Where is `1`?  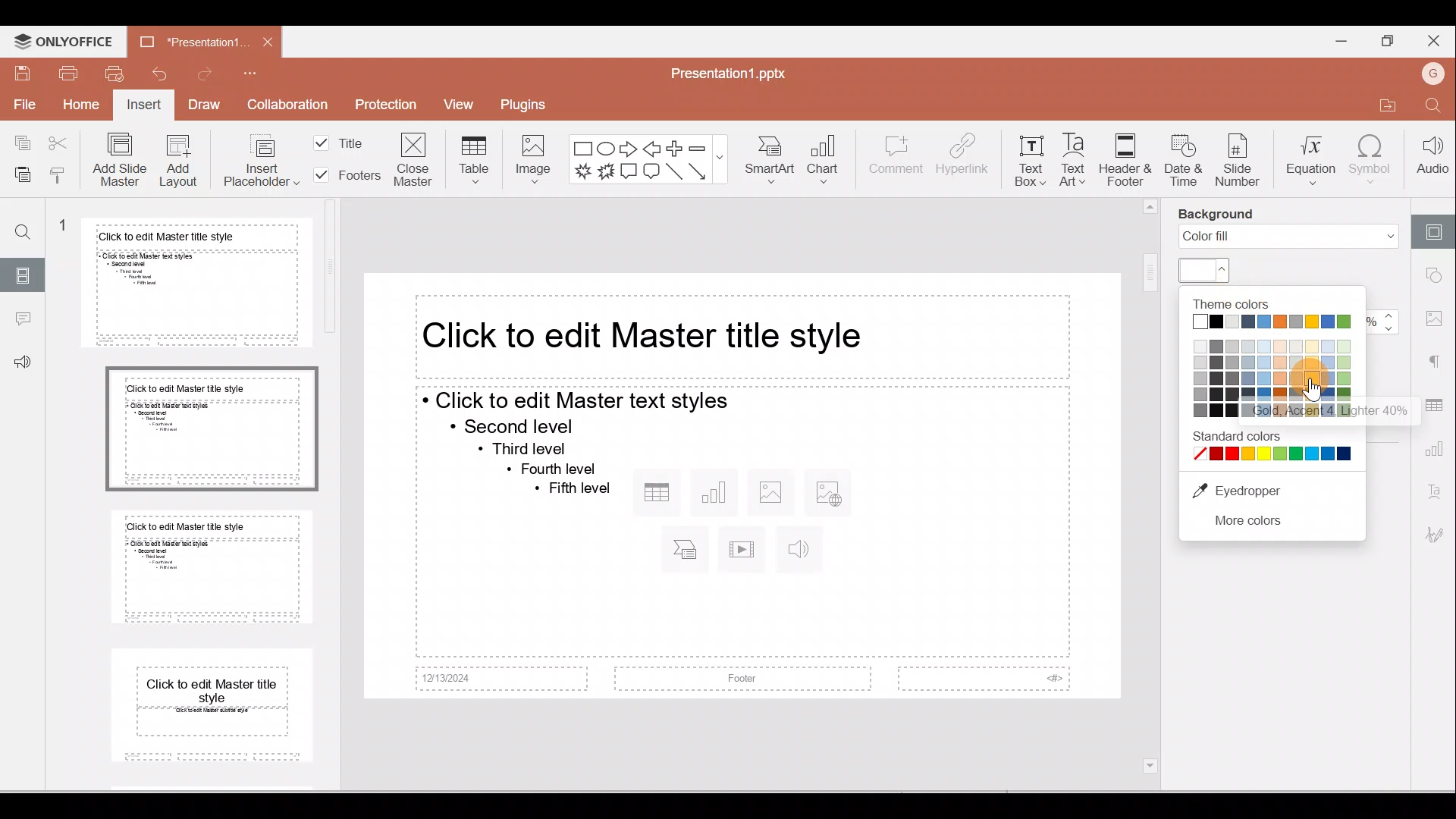
1 is located at coordinates (62, 226).